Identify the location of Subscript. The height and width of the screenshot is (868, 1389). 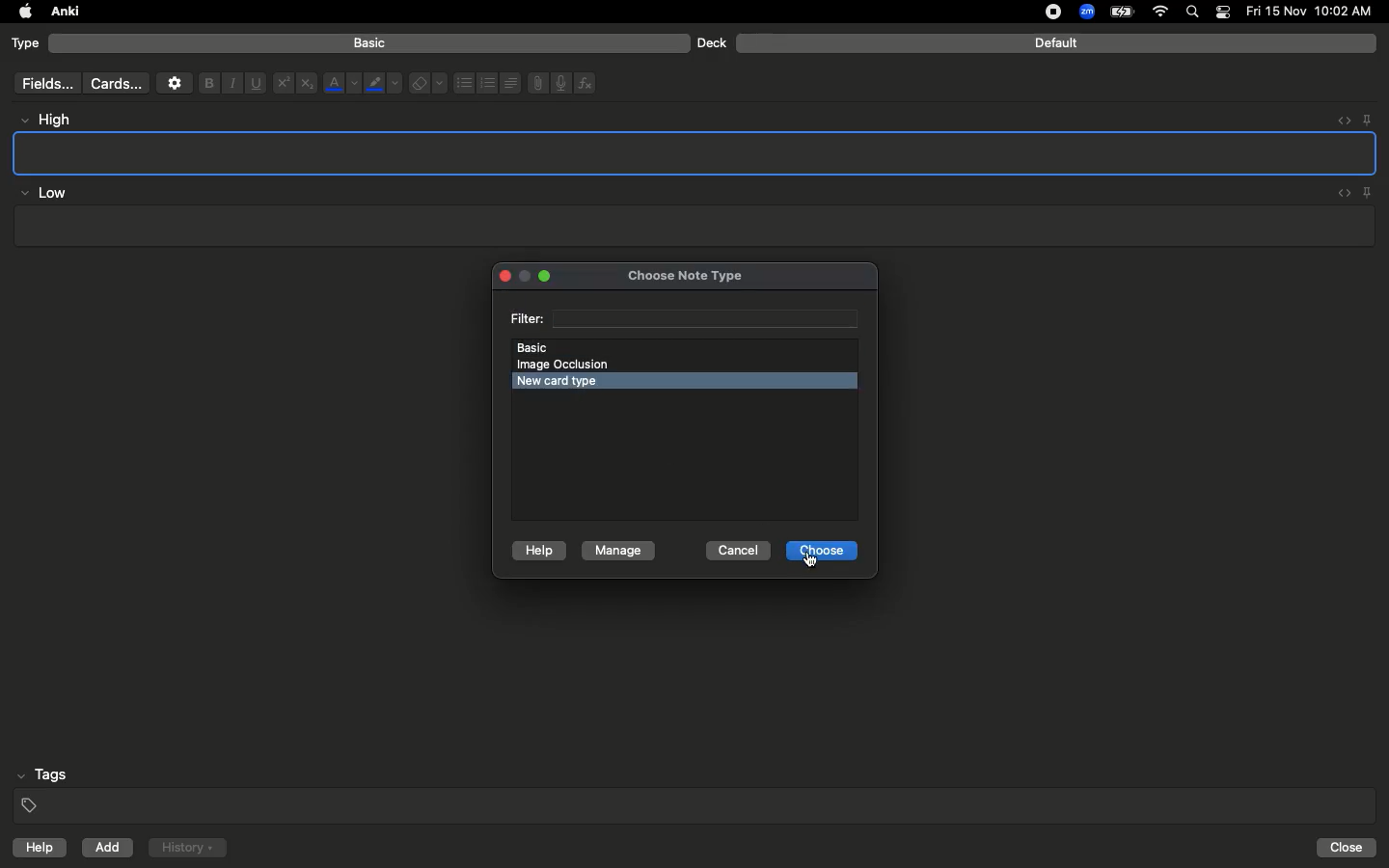
(307, 84).